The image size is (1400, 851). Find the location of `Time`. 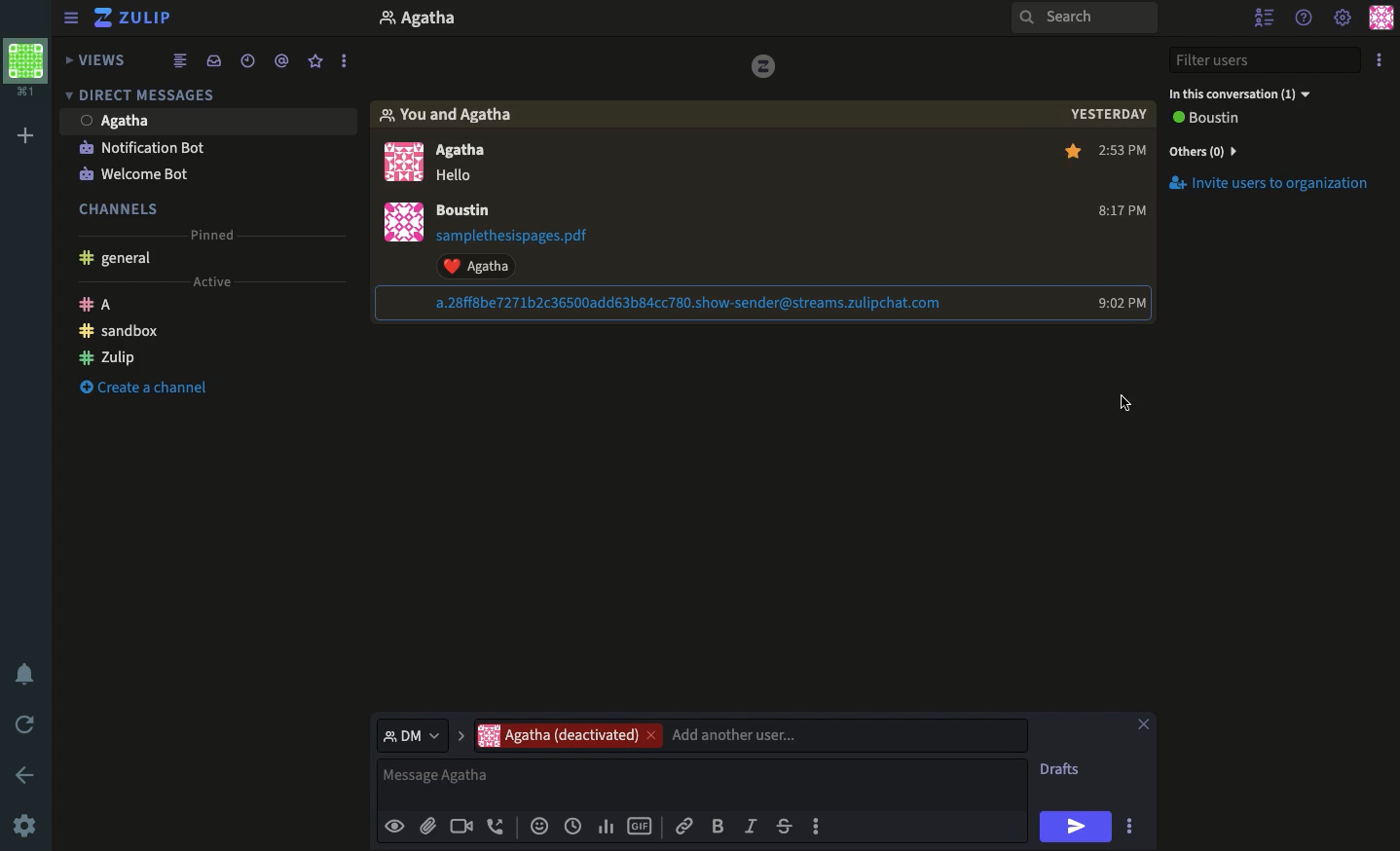

Time is located at coordinates (572, 827).